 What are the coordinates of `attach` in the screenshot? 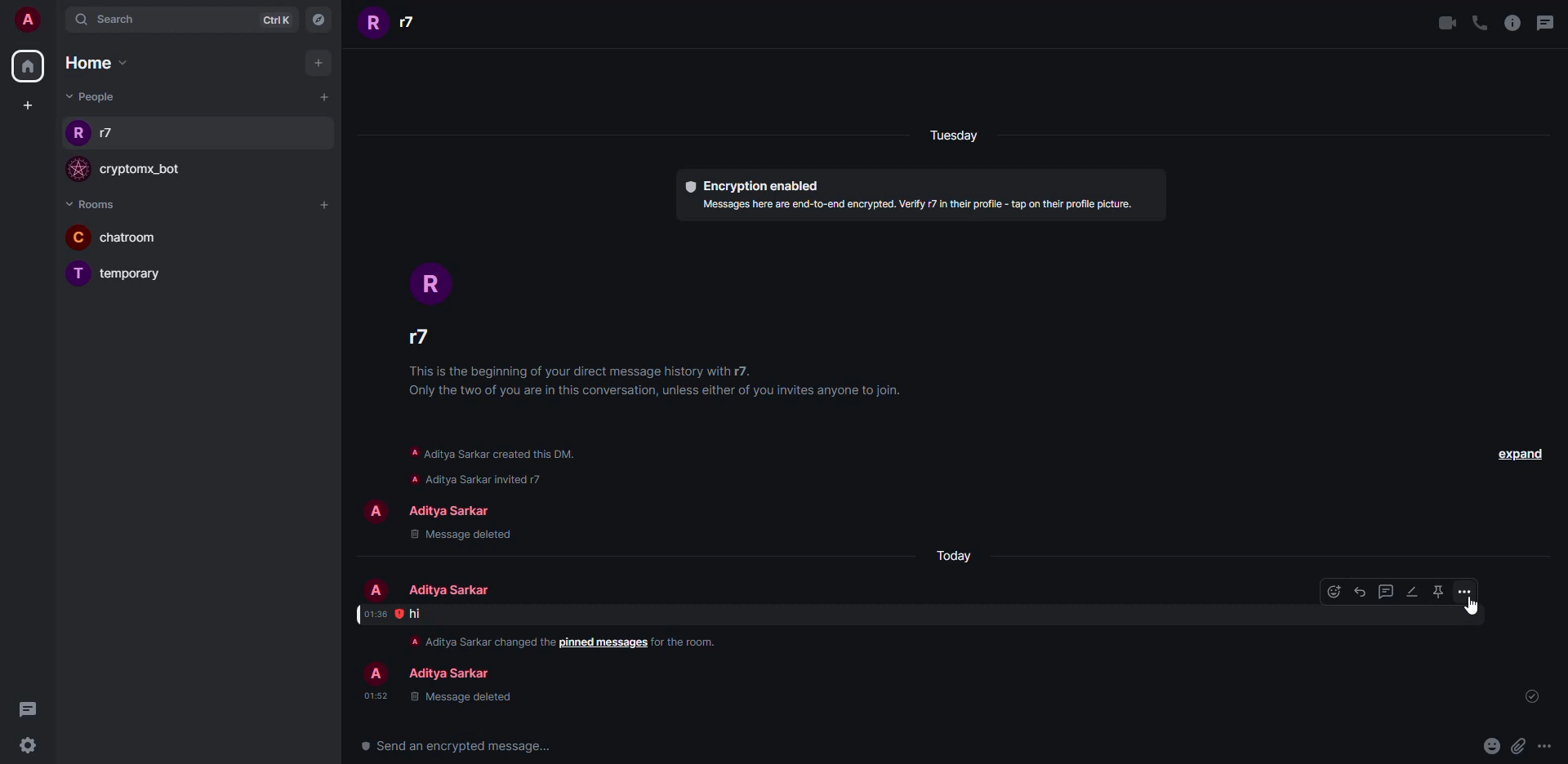 It's located at (1517, 747).